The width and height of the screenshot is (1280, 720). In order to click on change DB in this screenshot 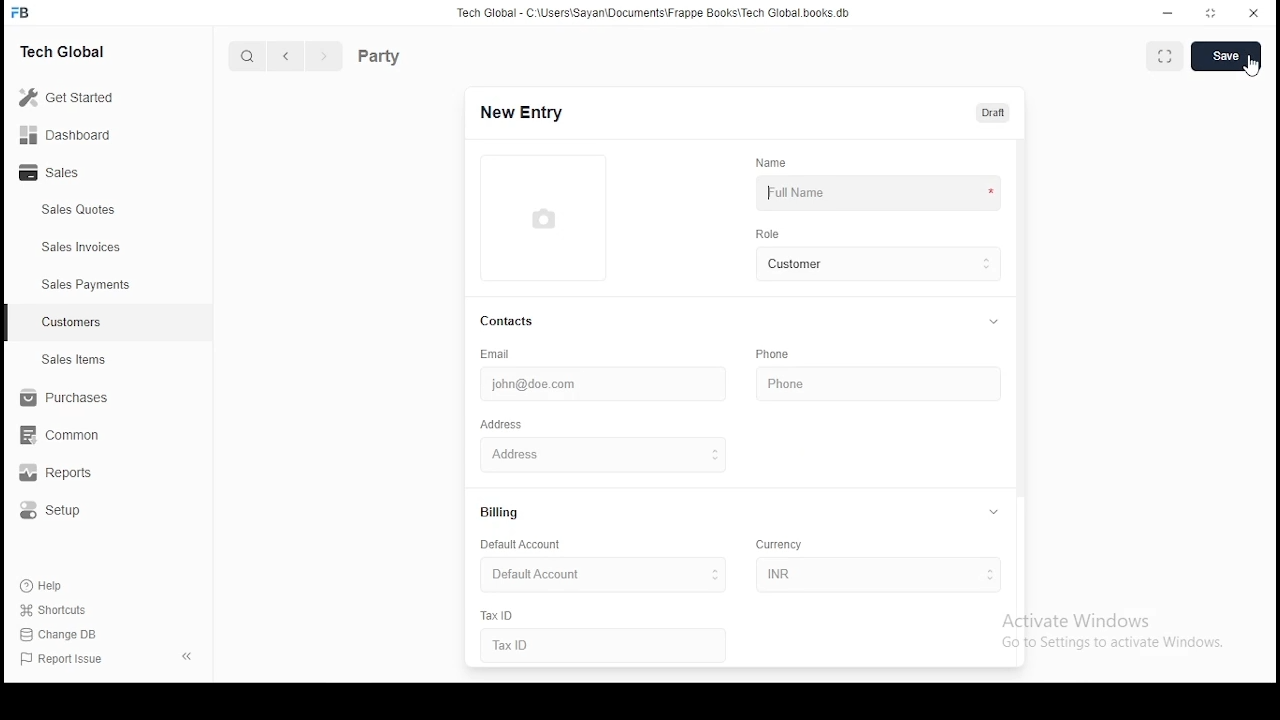, I will do `click(61, 633)`.